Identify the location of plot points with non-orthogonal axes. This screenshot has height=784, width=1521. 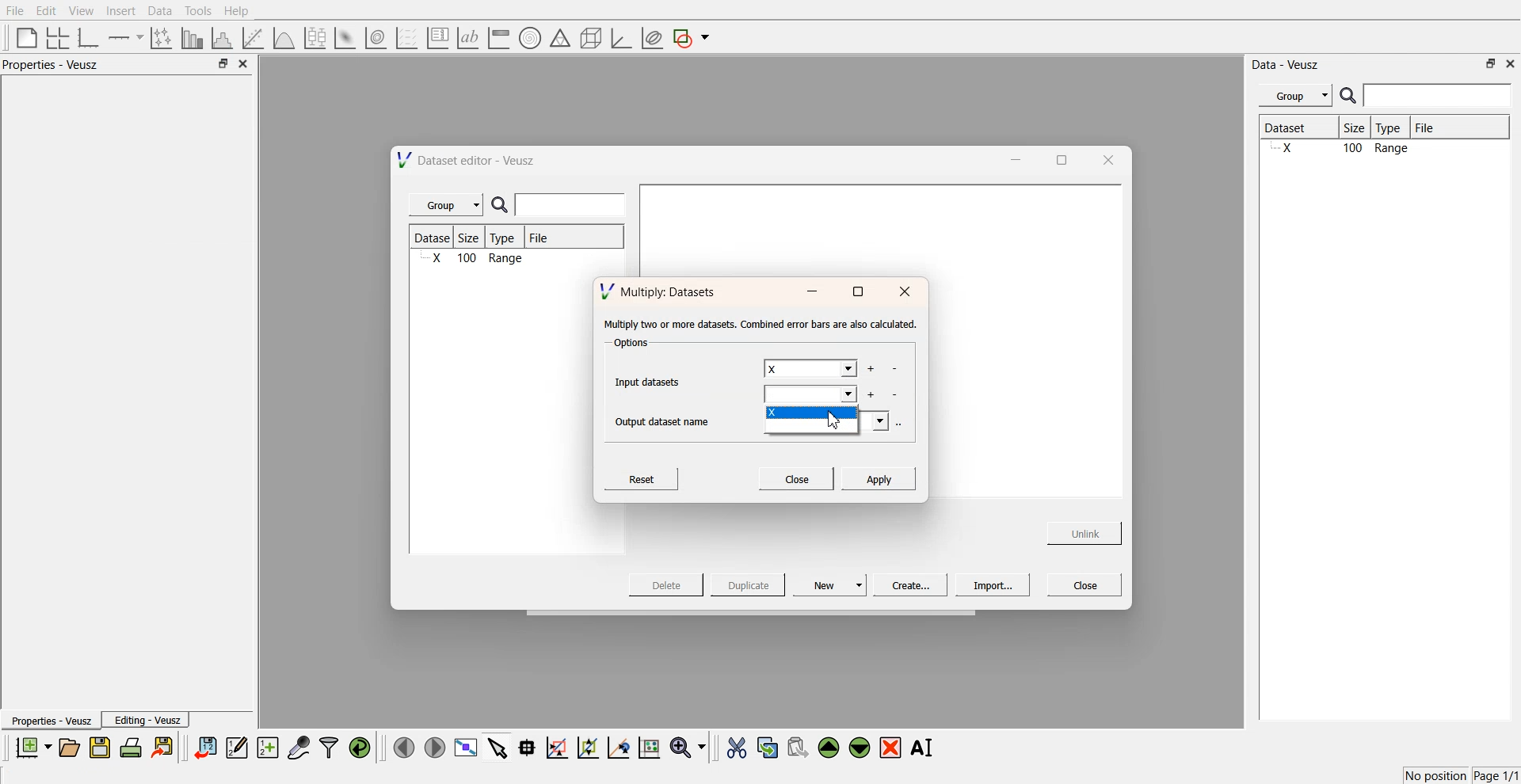
(160, 37).